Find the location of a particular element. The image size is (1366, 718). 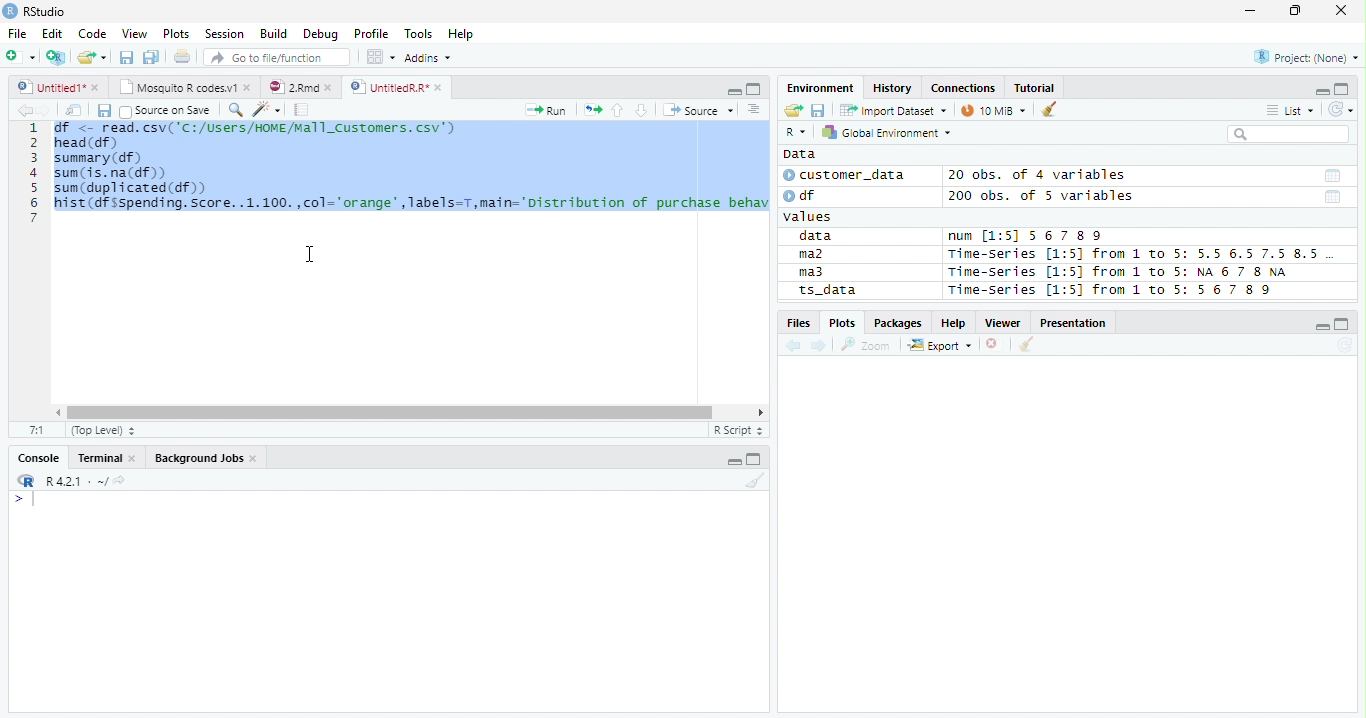

ie. <~ FEAR. CSVL 'CL/ USEFI / NINE /aT LENT InerS. Cov)

ead (df)

summary (df)

sun (is. na(df))

sum(duplicated(df))

hist (df Sspending. Score. .1.100. ,col="orange" , Tabels=T,main="Distribution of purchase behav
| is located at coordinates (413, 176).